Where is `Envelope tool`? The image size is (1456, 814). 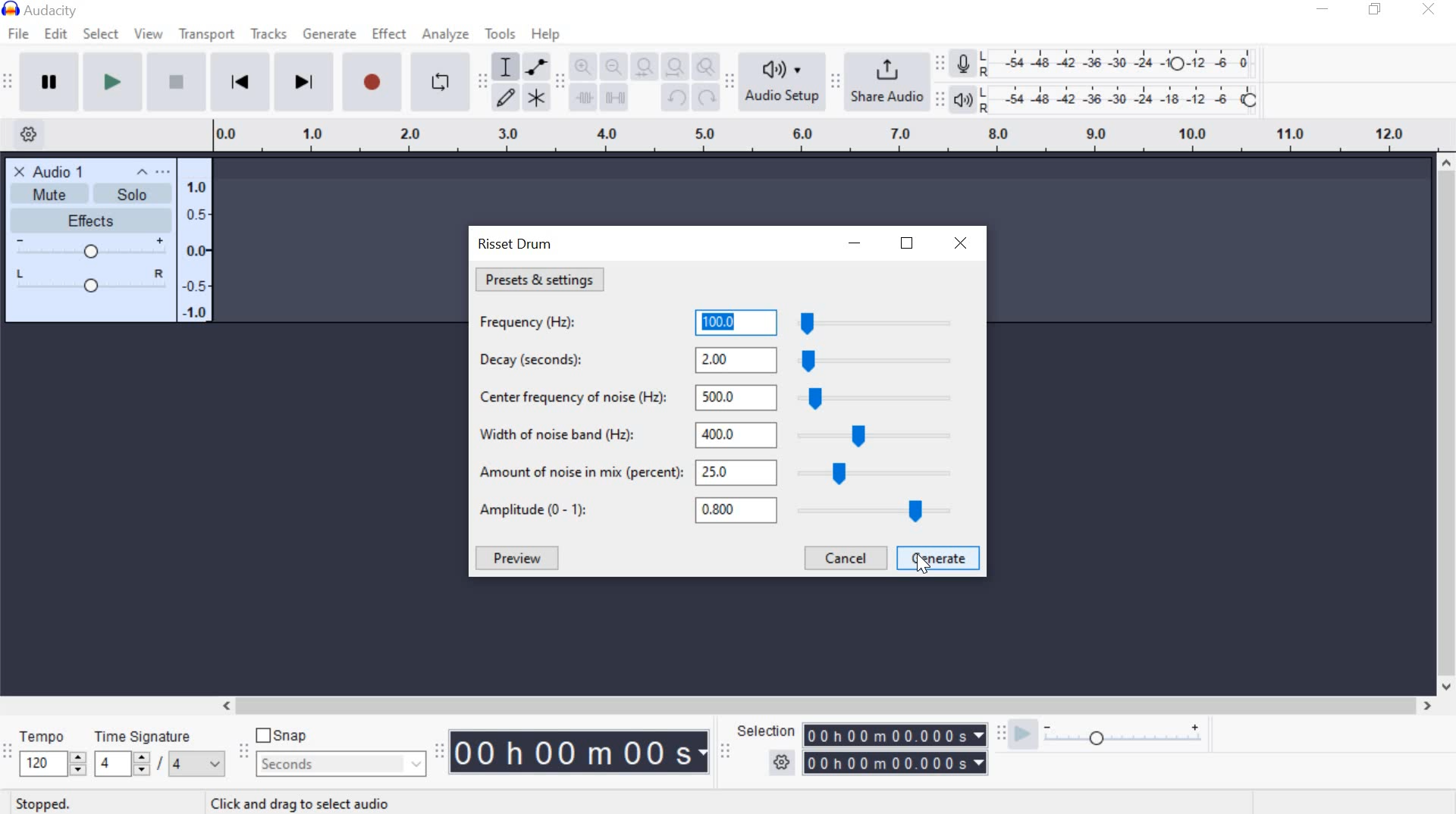
Envelope tool is located at coordinates (534, 67).